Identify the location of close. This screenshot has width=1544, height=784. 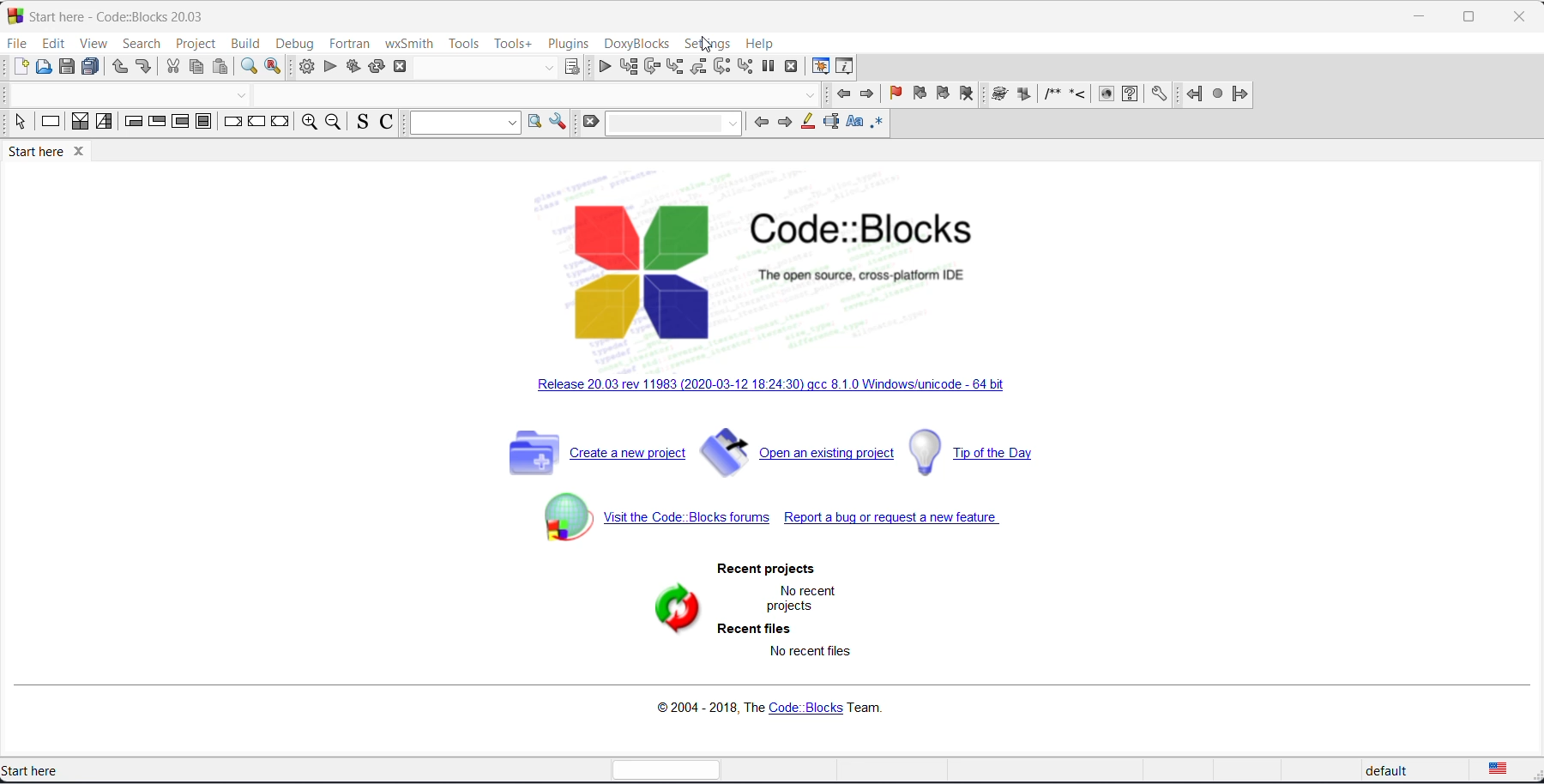
(1519, 17).